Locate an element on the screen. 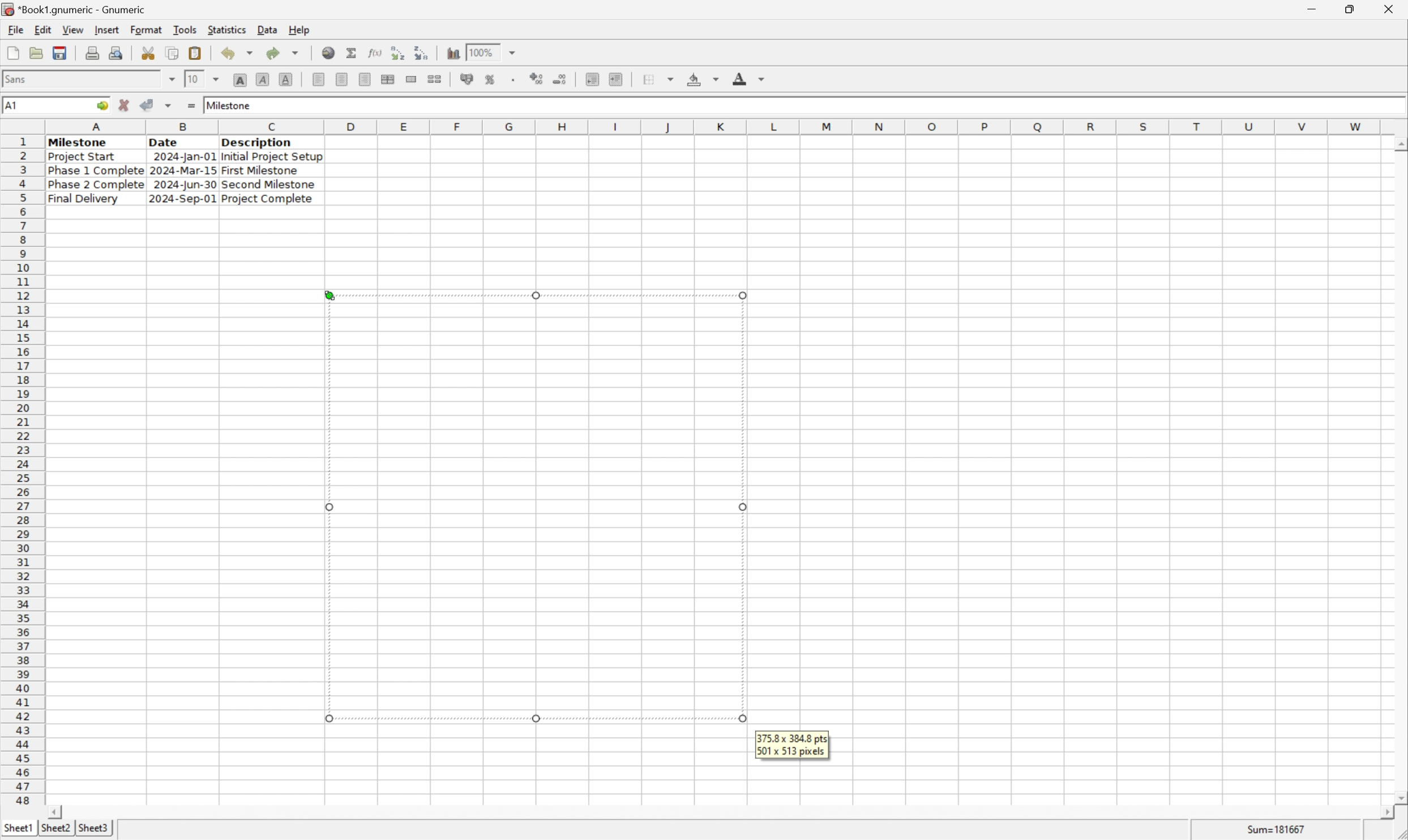 The width and height of the screenshot is (1408, 840). open a file is located at coordinates (38, 53).